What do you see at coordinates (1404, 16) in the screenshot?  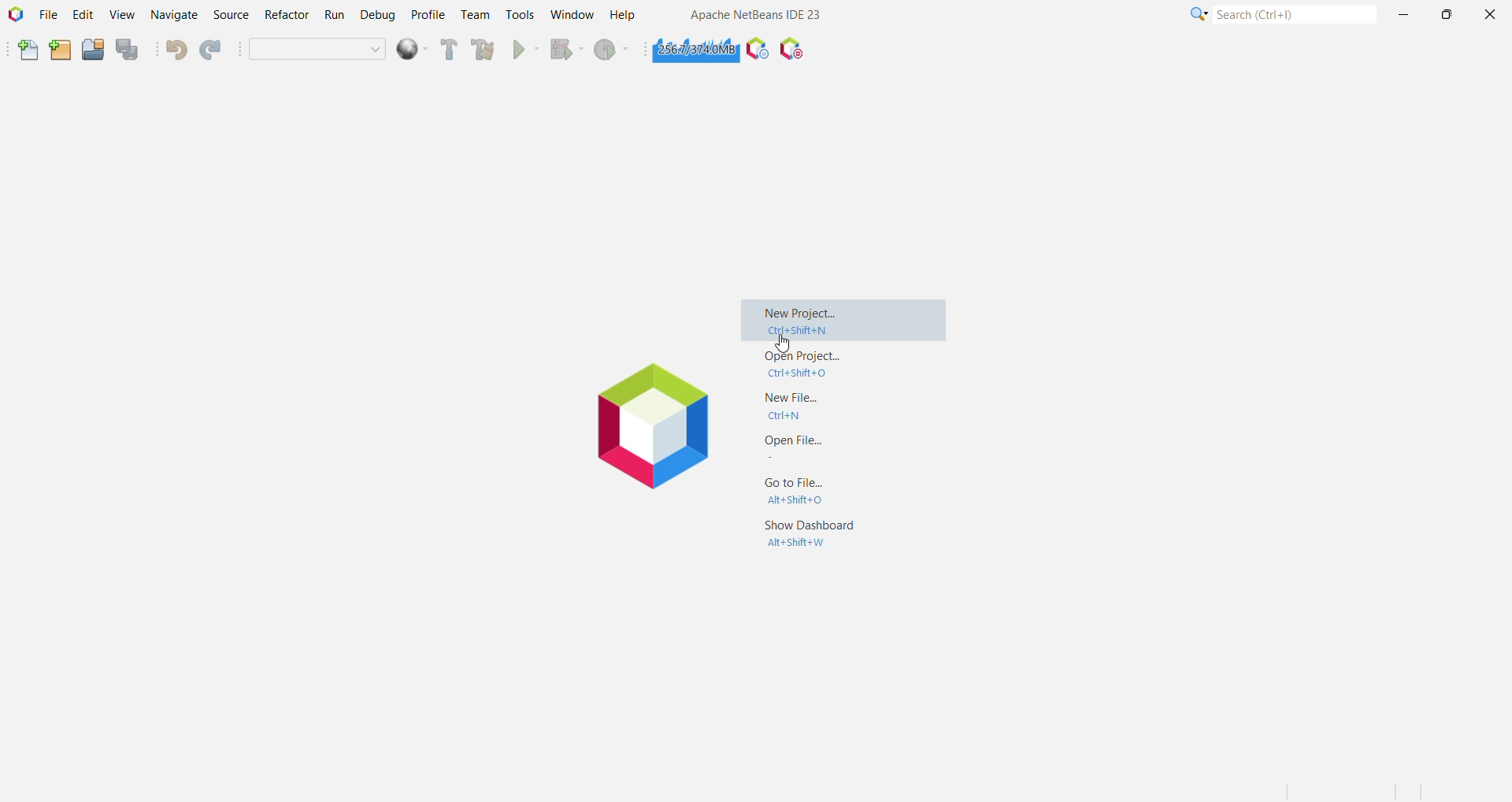 I see `Minimize` at bounding box center [1404, 16].